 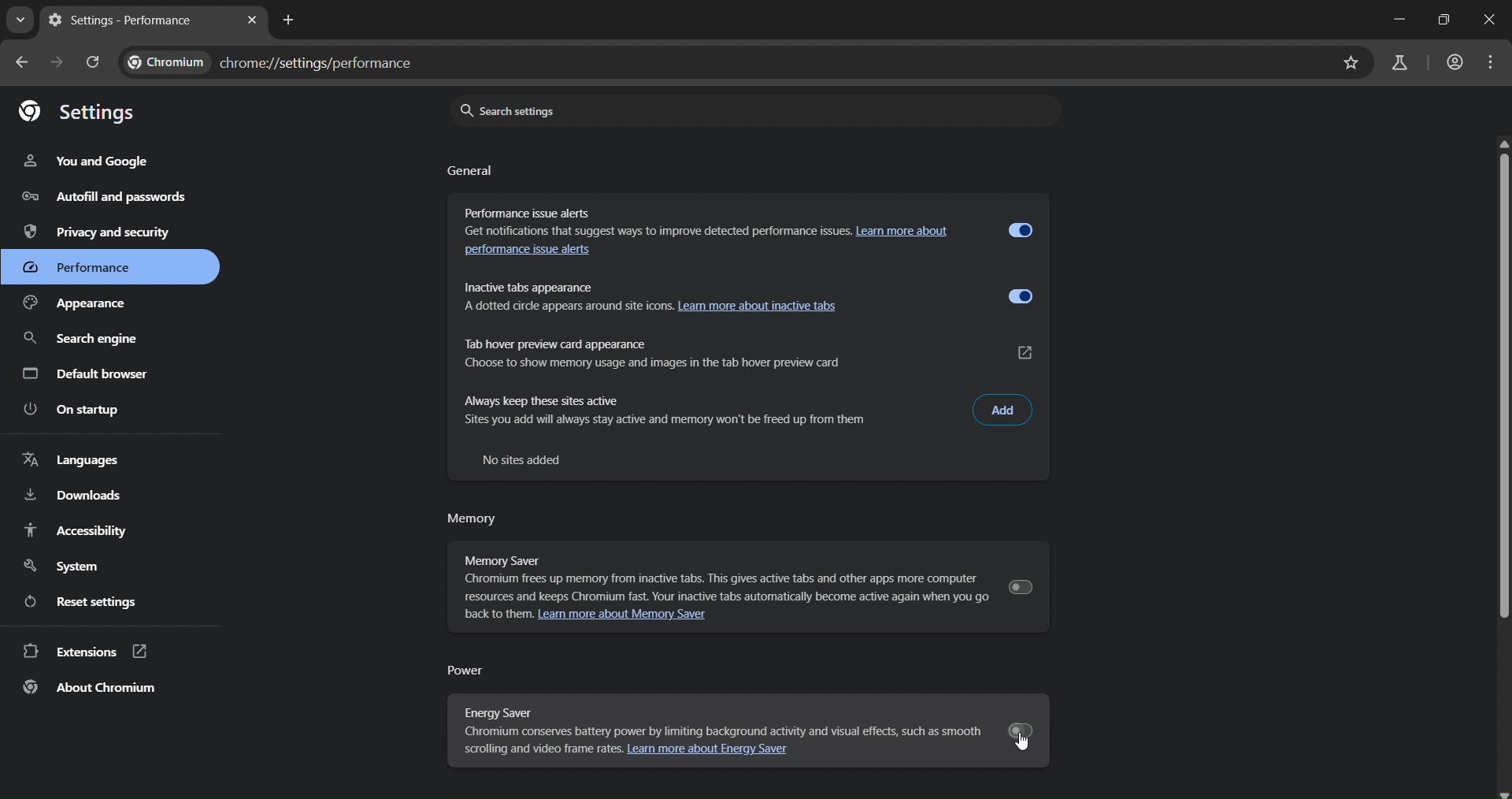 What do you see at coordinates (20, 20) in the screenshot?
I see `search tabs` at bounding box center [20, 20].